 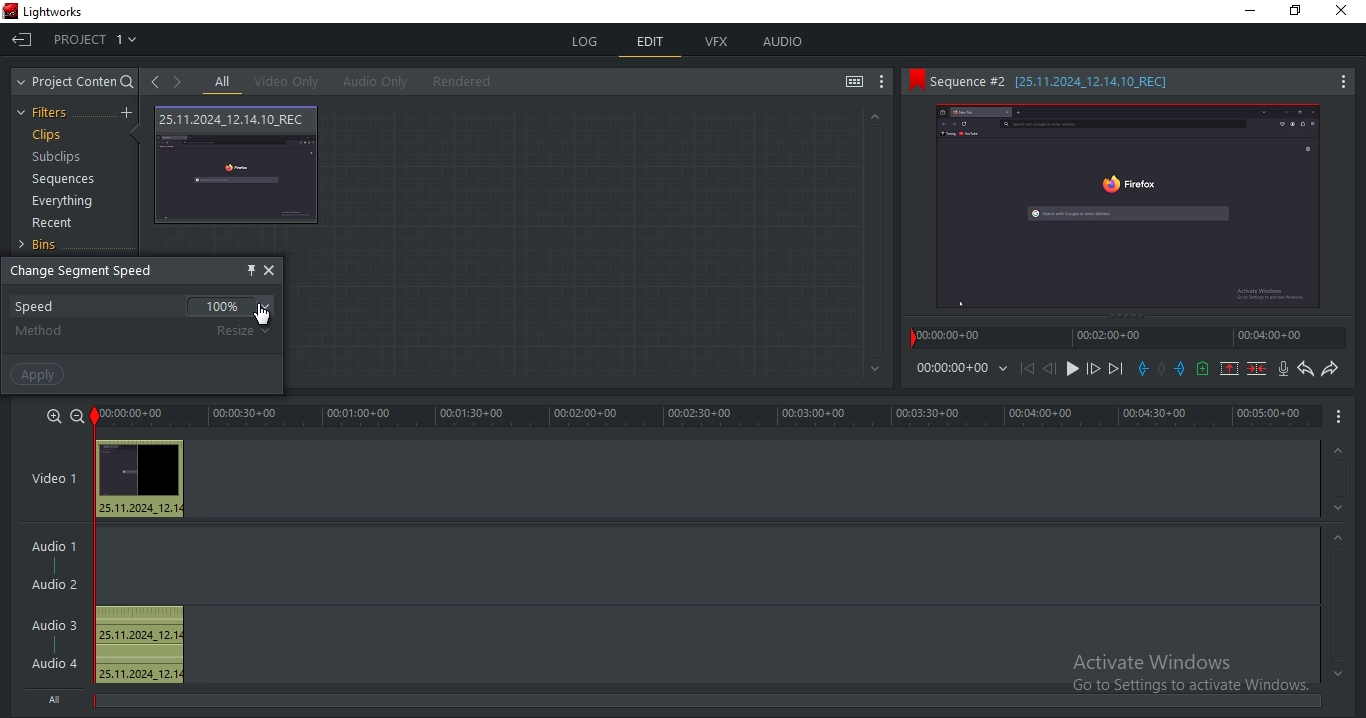 What do you see at coordinates (1073, 369) in the screenshot?
I see `start/stop playback` at bounding box center [1073, 369].